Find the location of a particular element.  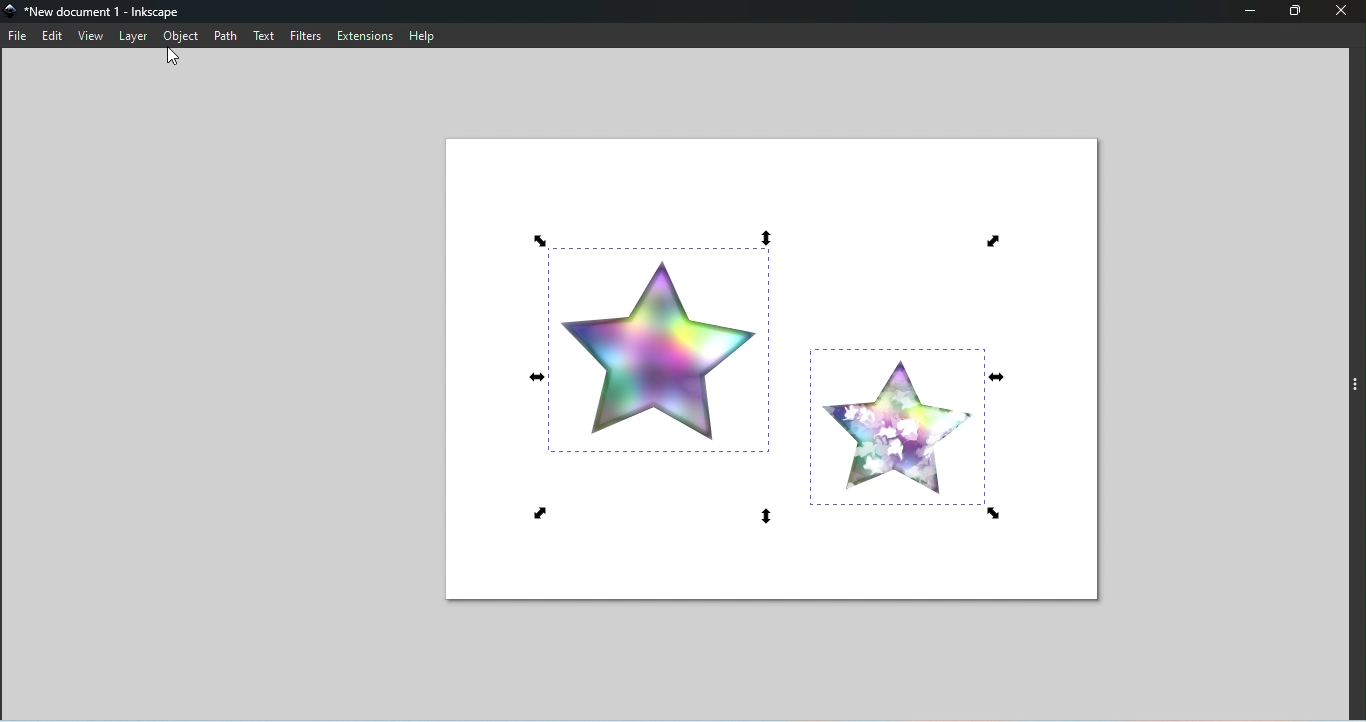

Maximize is located at coordinates (1296, 13).